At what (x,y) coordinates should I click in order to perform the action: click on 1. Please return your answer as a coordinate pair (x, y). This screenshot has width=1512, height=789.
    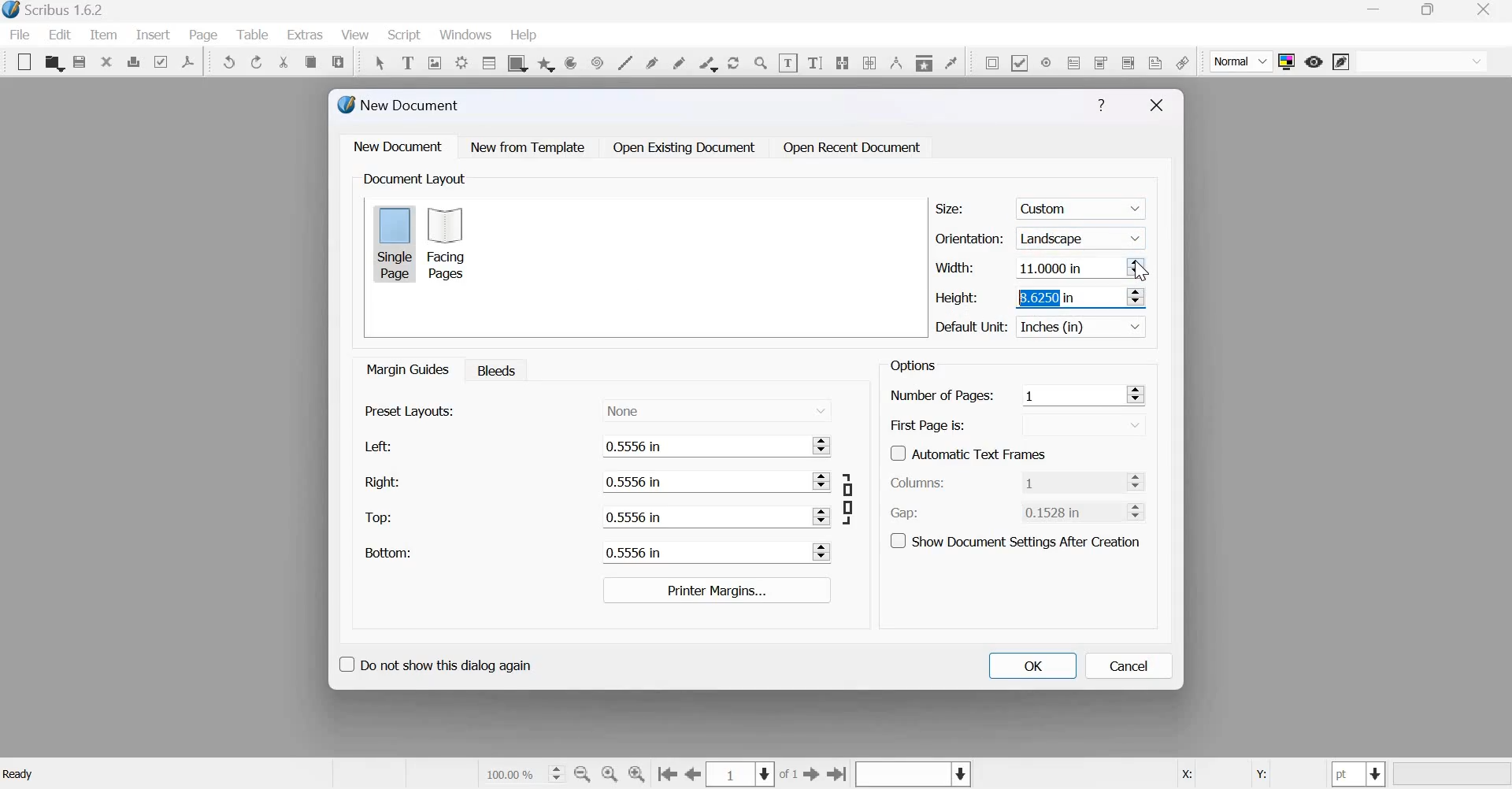
    Looking at the image, I should click on (1070, 395).